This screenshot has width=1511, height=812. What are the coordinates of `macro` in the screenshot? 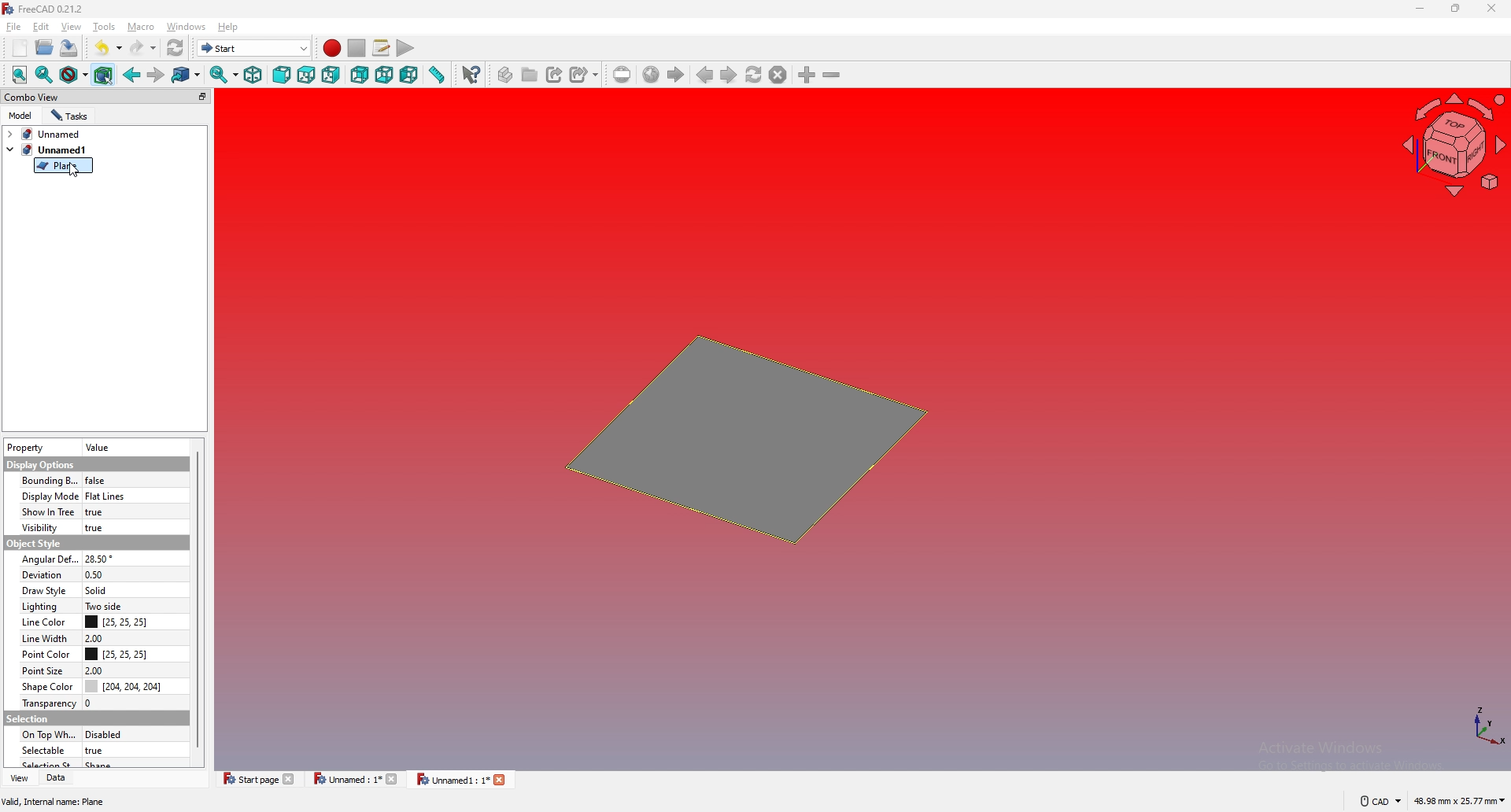 It's located at (142, 26).